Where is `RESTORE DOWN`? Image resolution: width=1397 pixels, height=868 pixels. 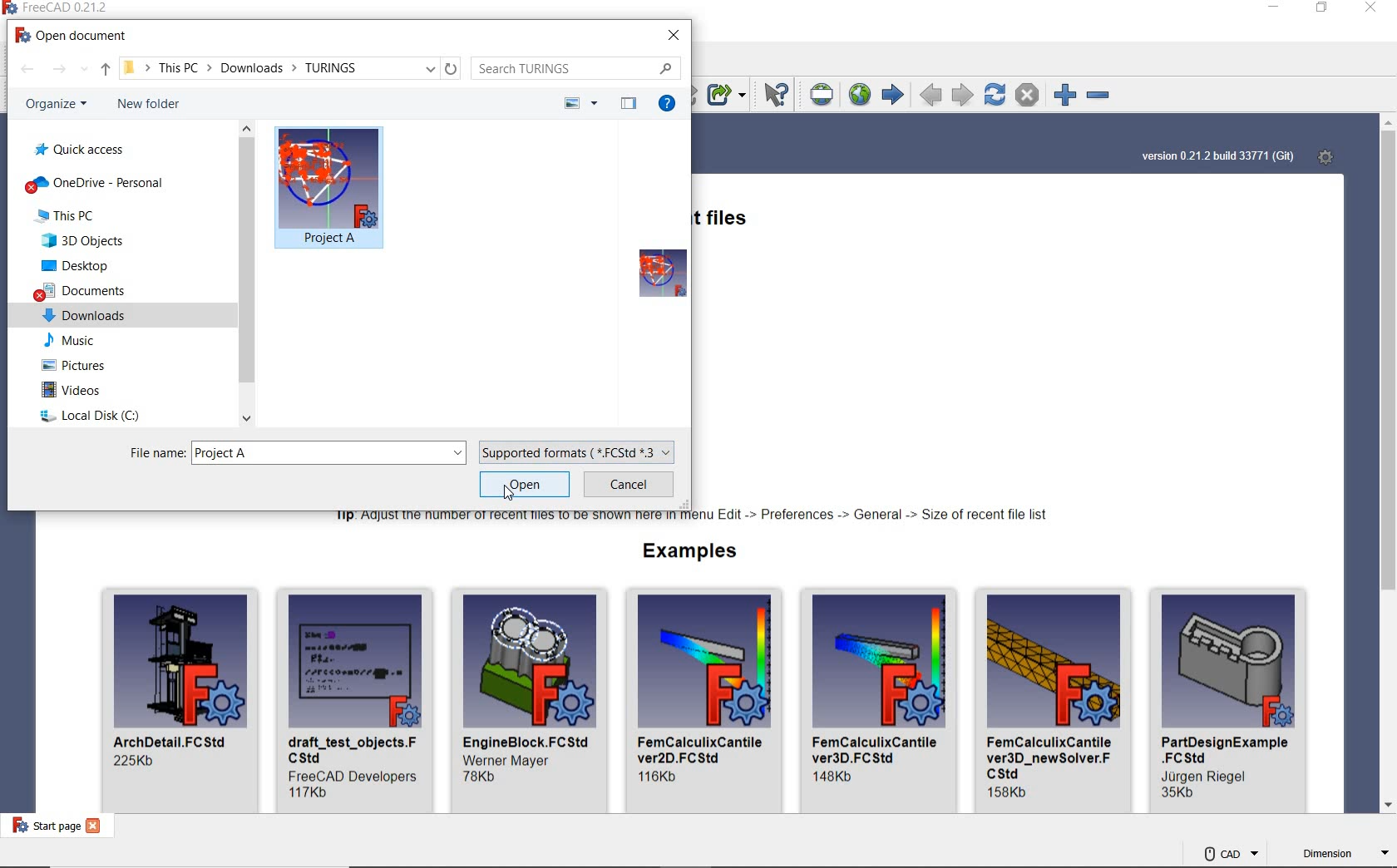 RESTORE DOWN is located at coordinates (1323, 9).